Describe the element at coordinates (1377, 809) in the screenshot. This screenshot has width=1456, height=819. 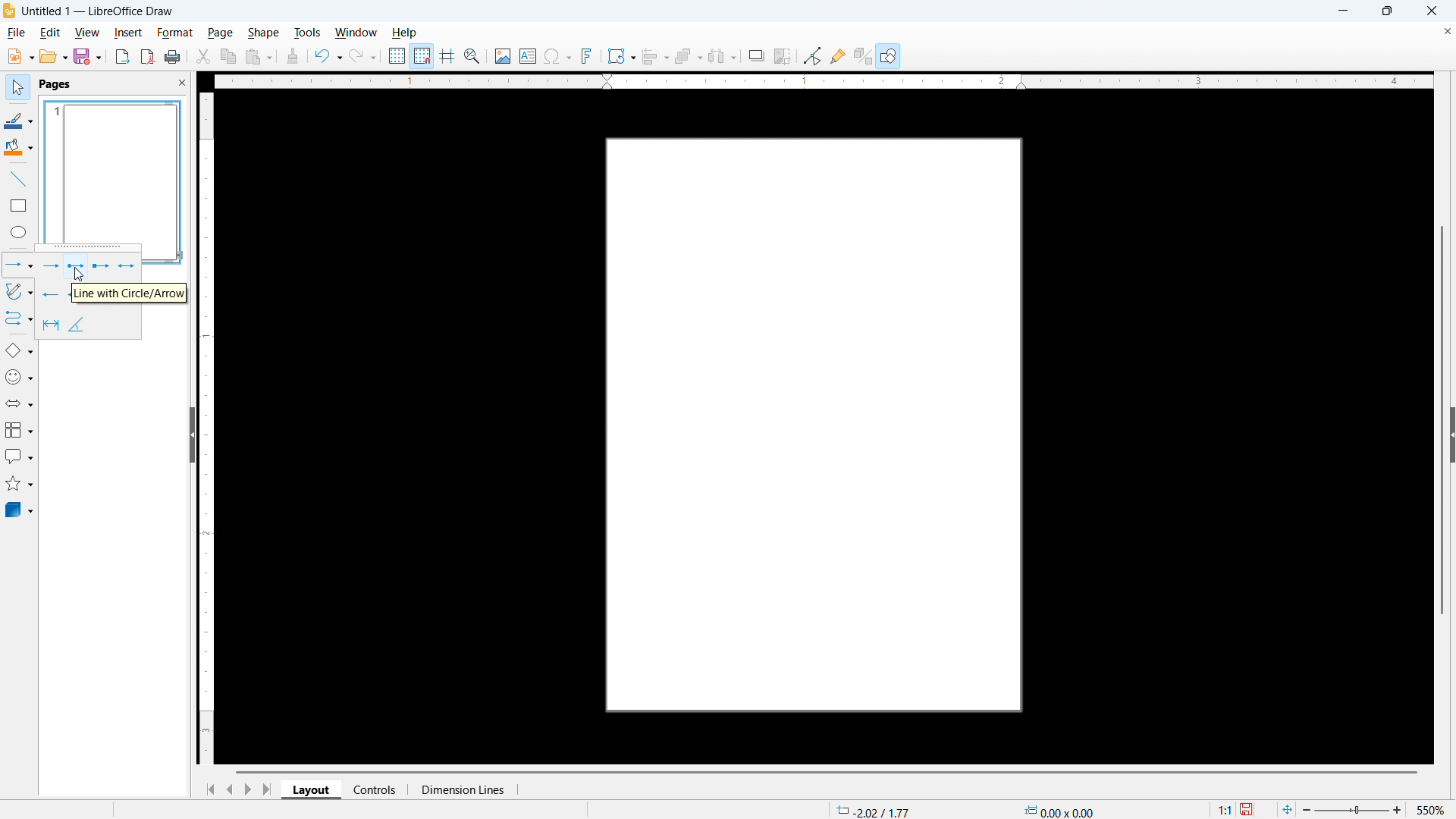
I see `zoom 550%` at that location.